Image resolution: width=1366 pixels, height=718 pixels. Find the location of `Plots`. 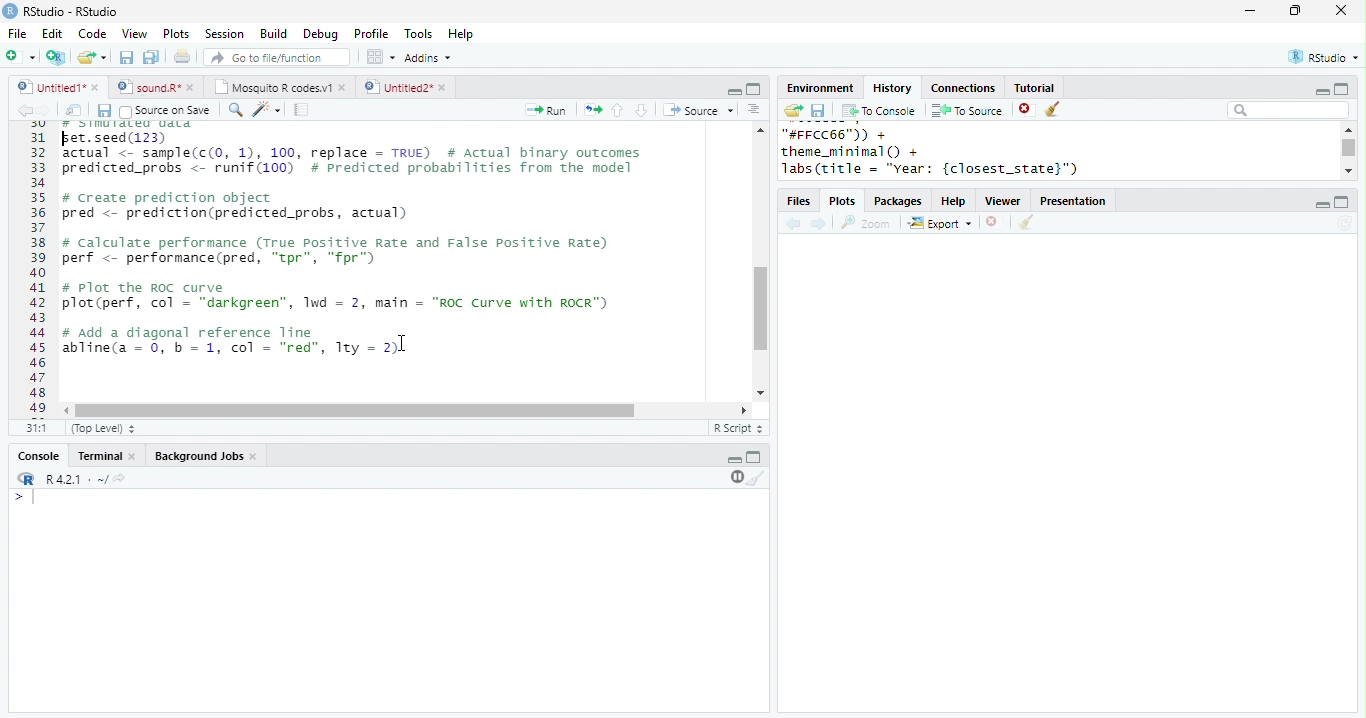

Plots is located at coordinates (844, 202).